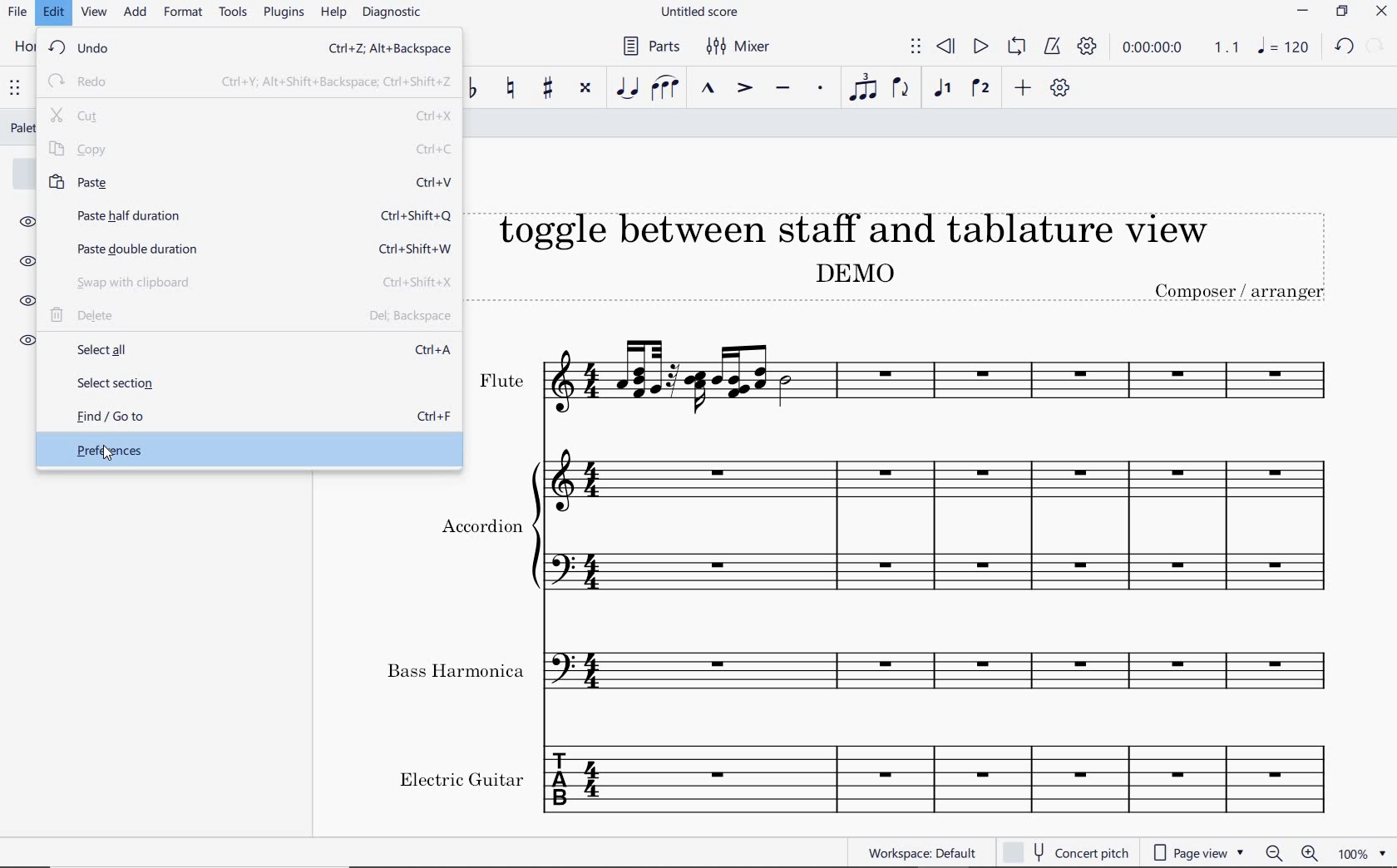  What do you see at coordinates (248, 50) in the screenshot?
I see `undo` at bounding box center [248, 50].